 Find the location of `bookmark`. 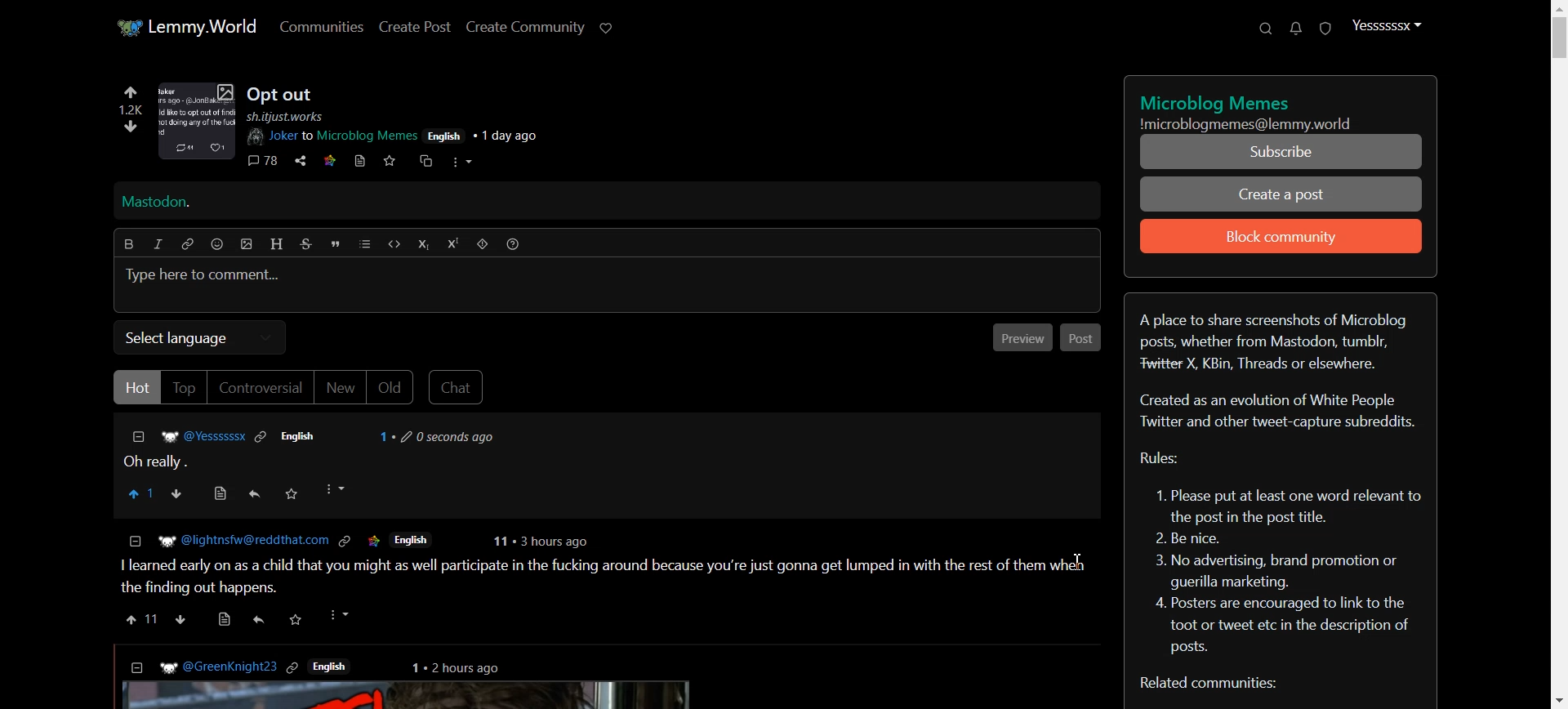

bookmark is located at coordinates (364, 159).